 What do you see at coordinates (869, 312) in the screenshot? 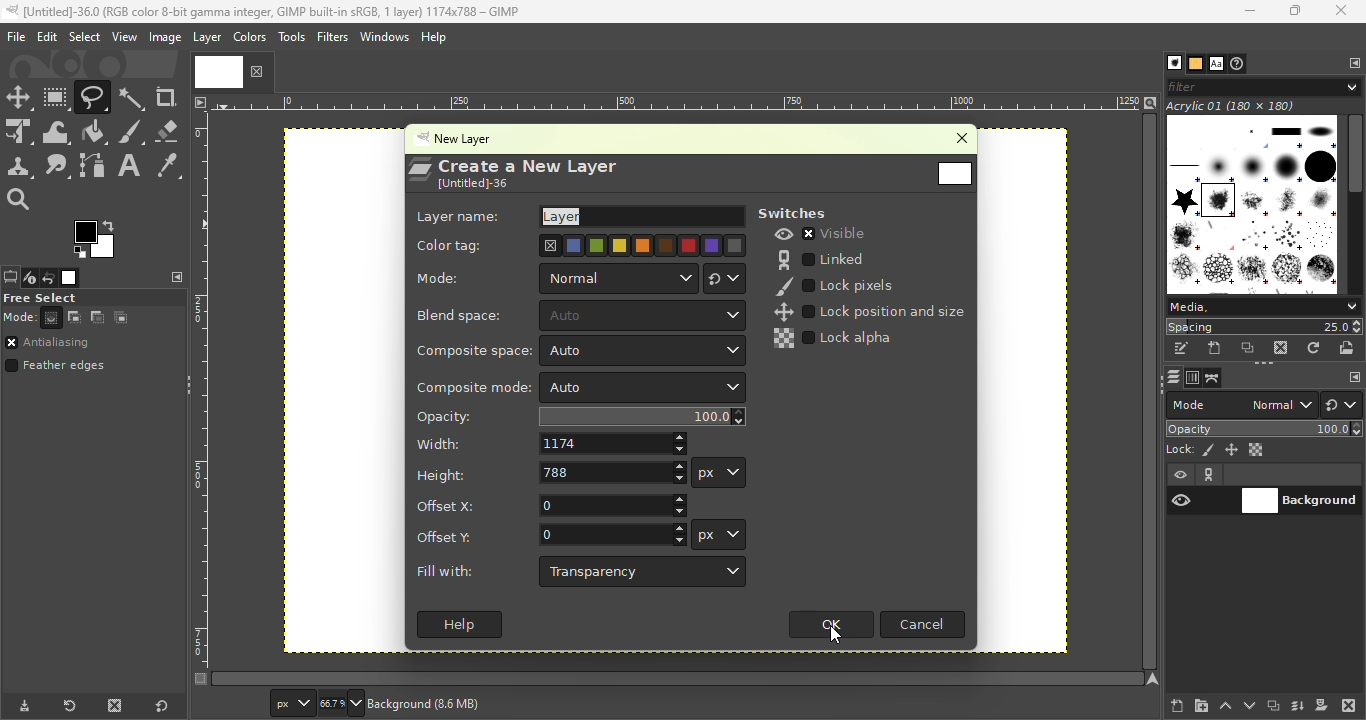
I see `Lock position and size` at bounding box center [869, 312].